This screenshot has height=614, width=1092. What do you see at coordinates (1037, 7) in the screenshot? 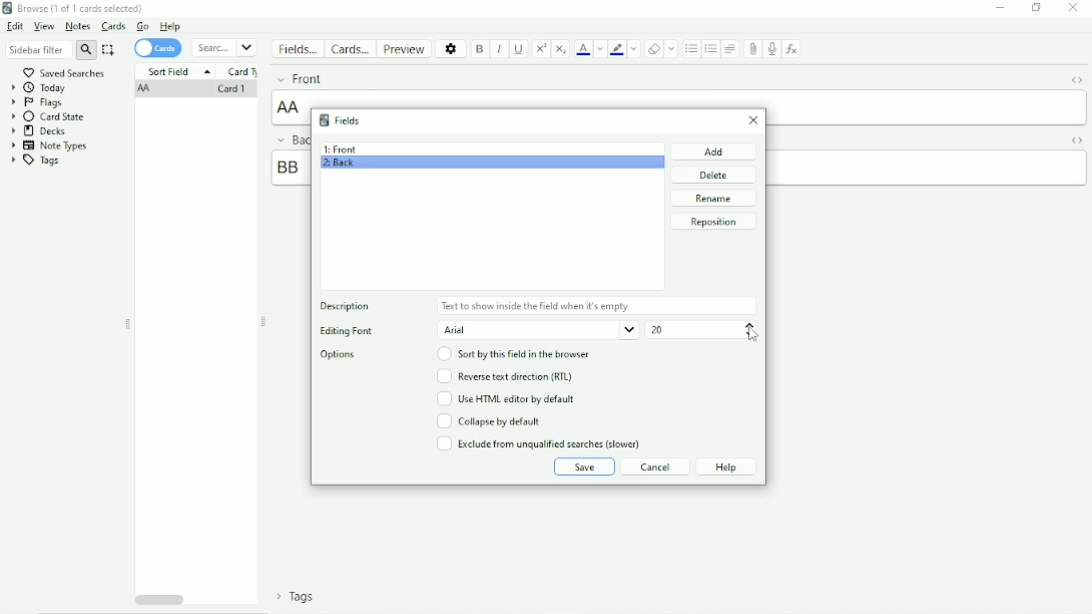
I see `Restore down` at bounding box center [1037, 7].